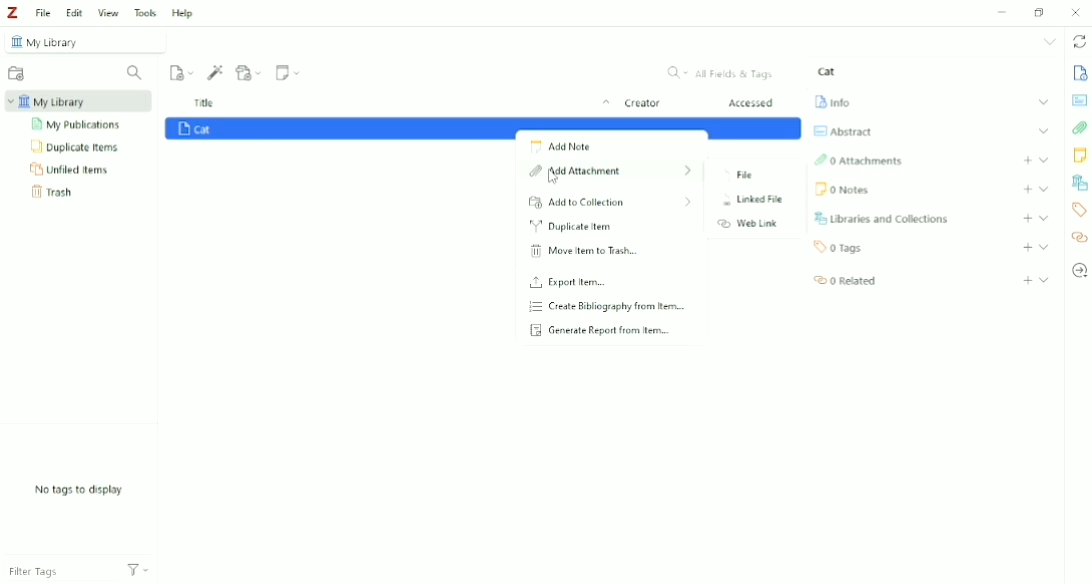  Describe the element at coordinates (1027, 189) in the screenshot. I see `Add` at that location.